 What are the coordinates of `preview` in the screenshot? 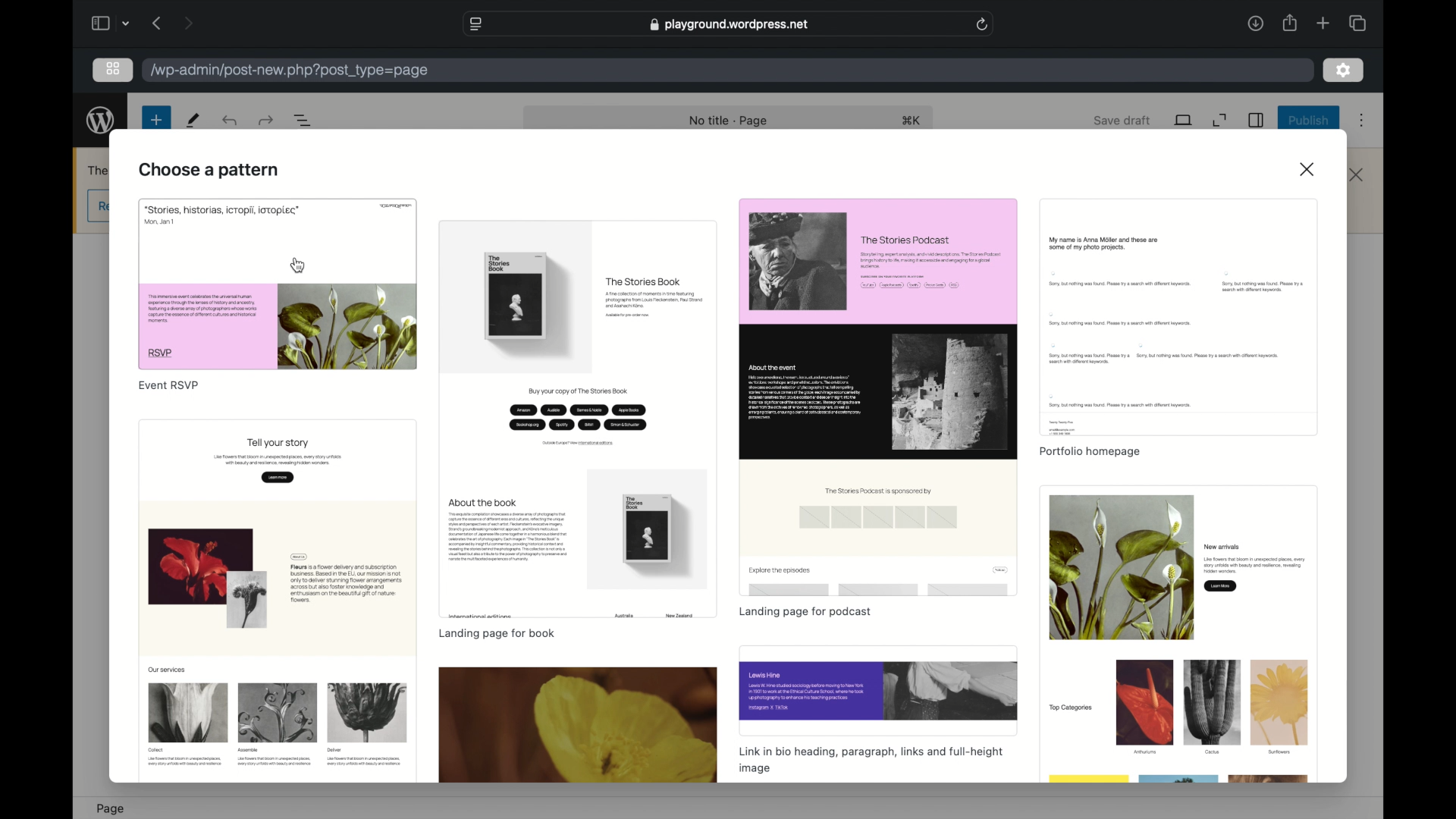 It's located at (276, 598).